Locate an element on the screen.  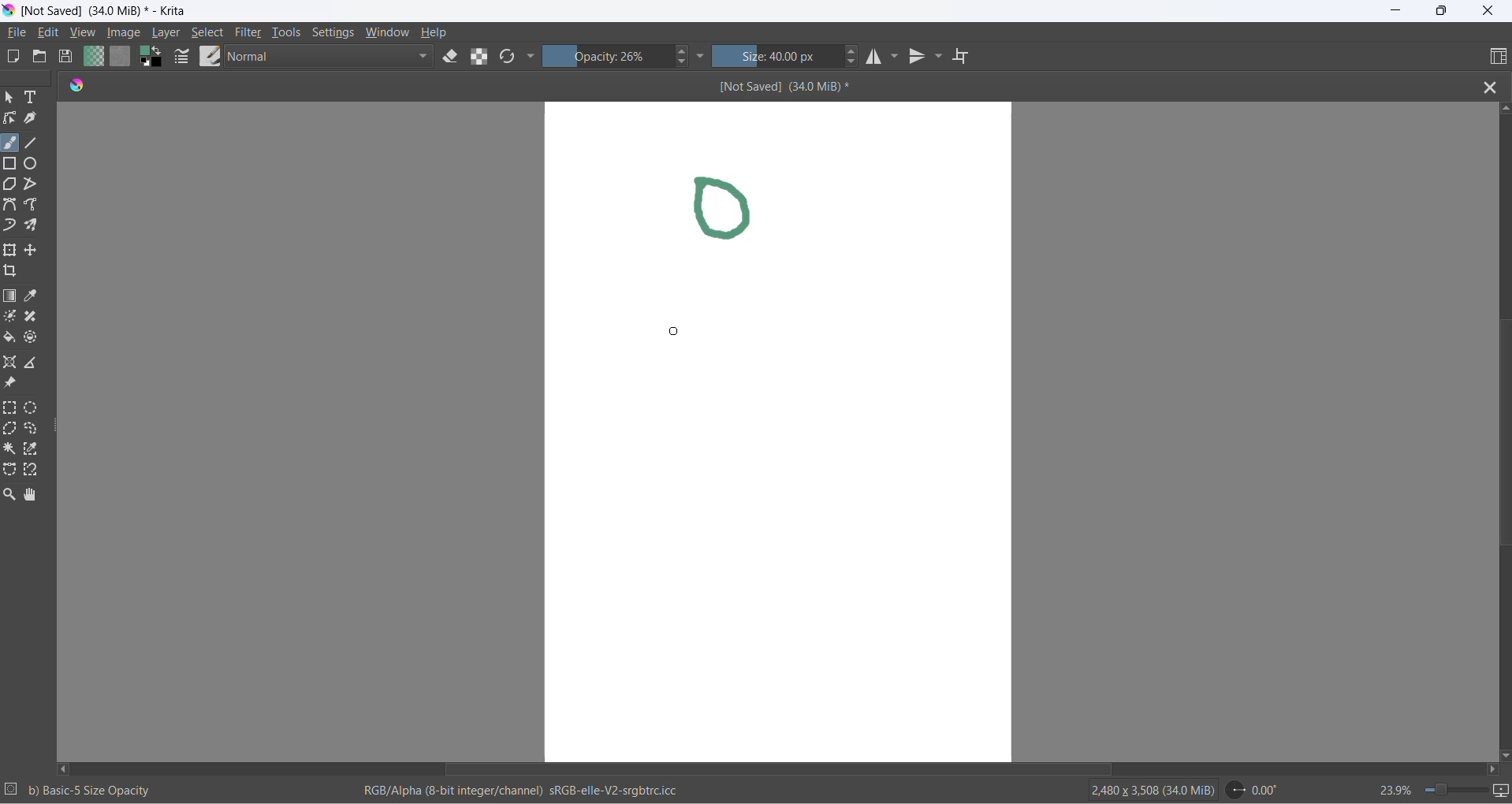
vertical scroll bar is located at coordinates (1503, 446).